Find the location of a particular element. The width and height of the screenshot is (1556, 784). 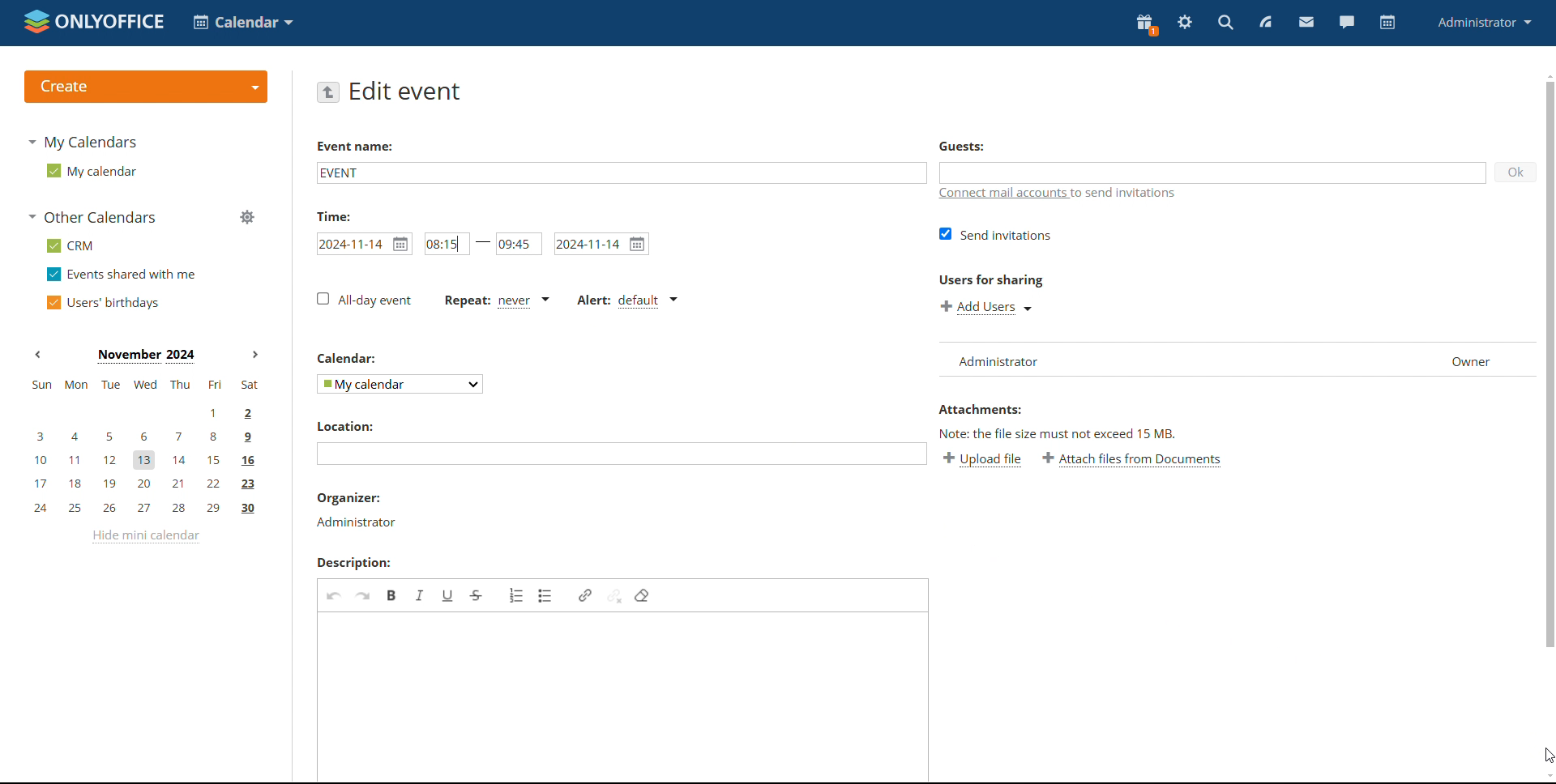

upload file is located at coordinates (982, 460).